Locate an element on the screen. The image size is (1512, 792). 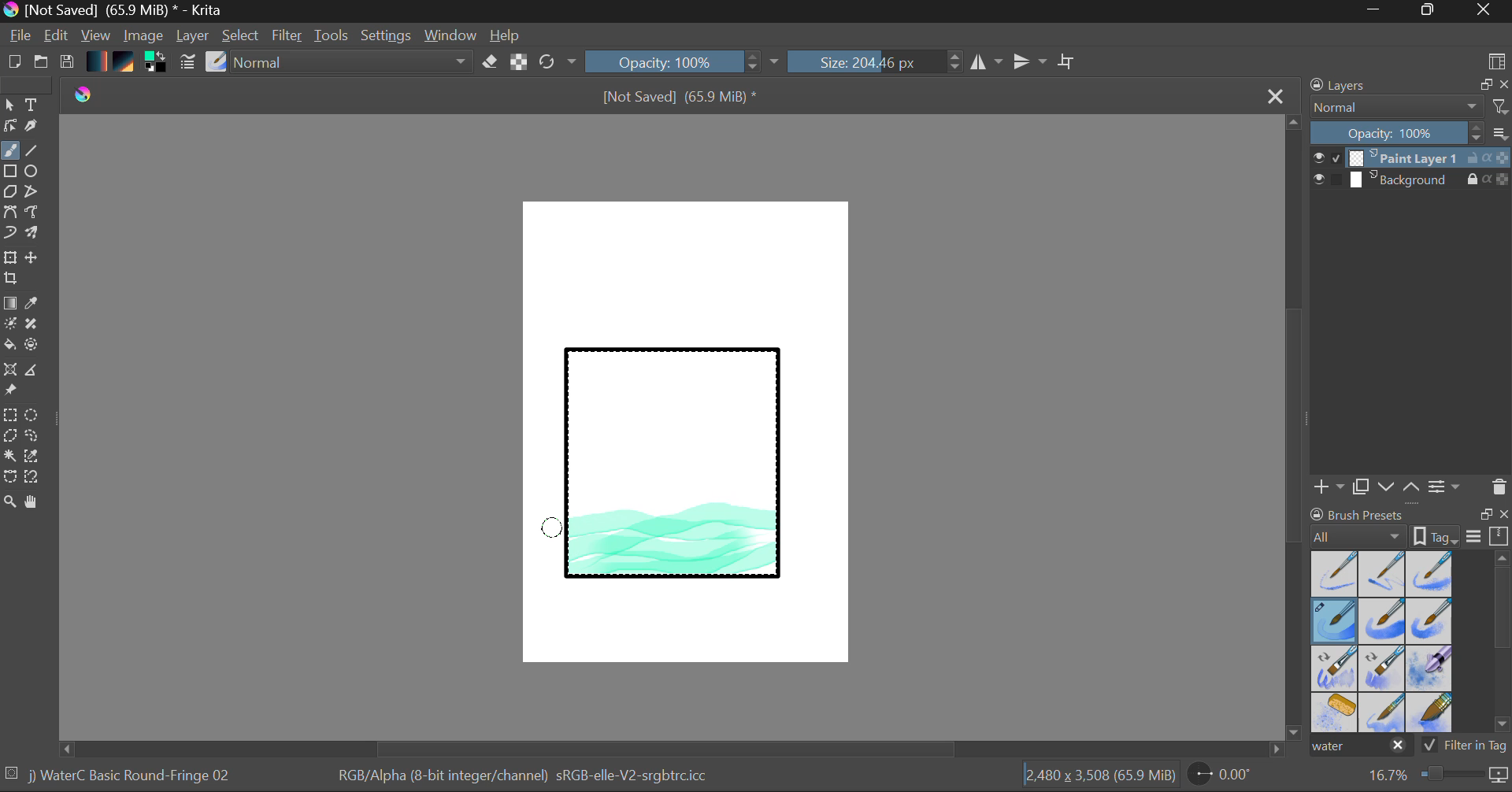
Open is located at coordinates (43, 64).